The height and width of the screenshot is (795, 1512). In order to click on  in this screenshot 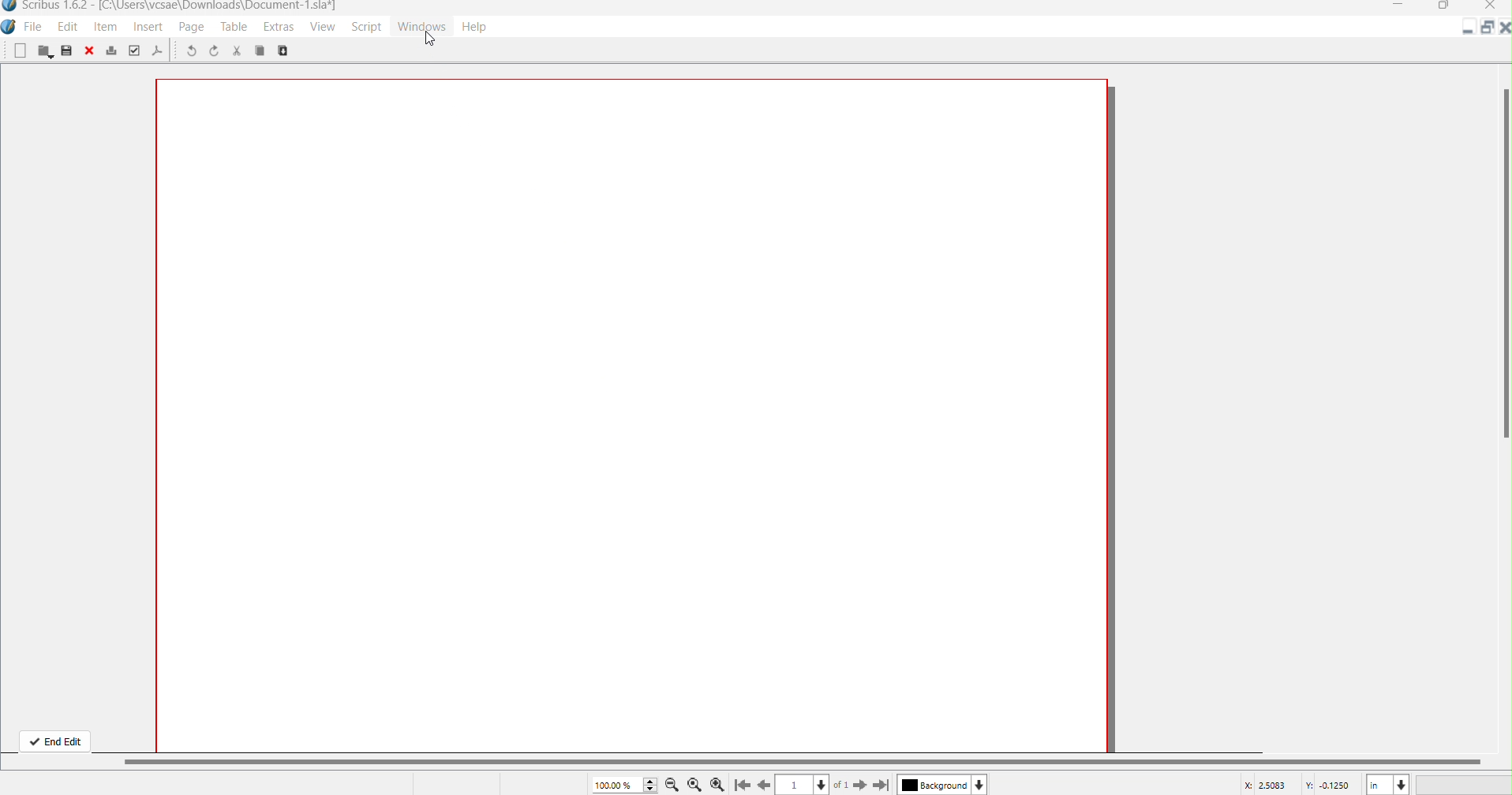, I will do `click(136, 50)`.